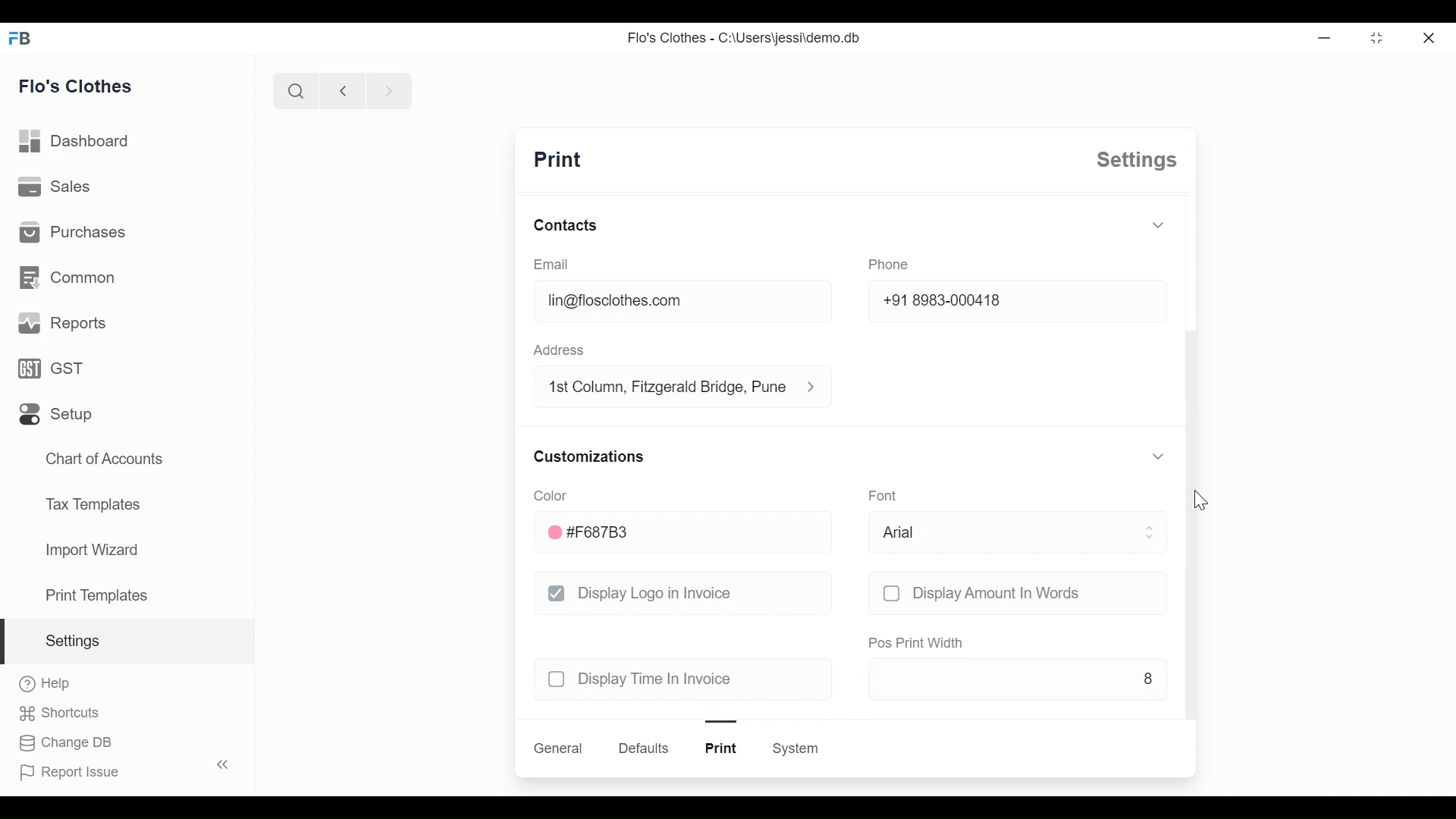  I want to click on #F687B3, so click(686, 532).